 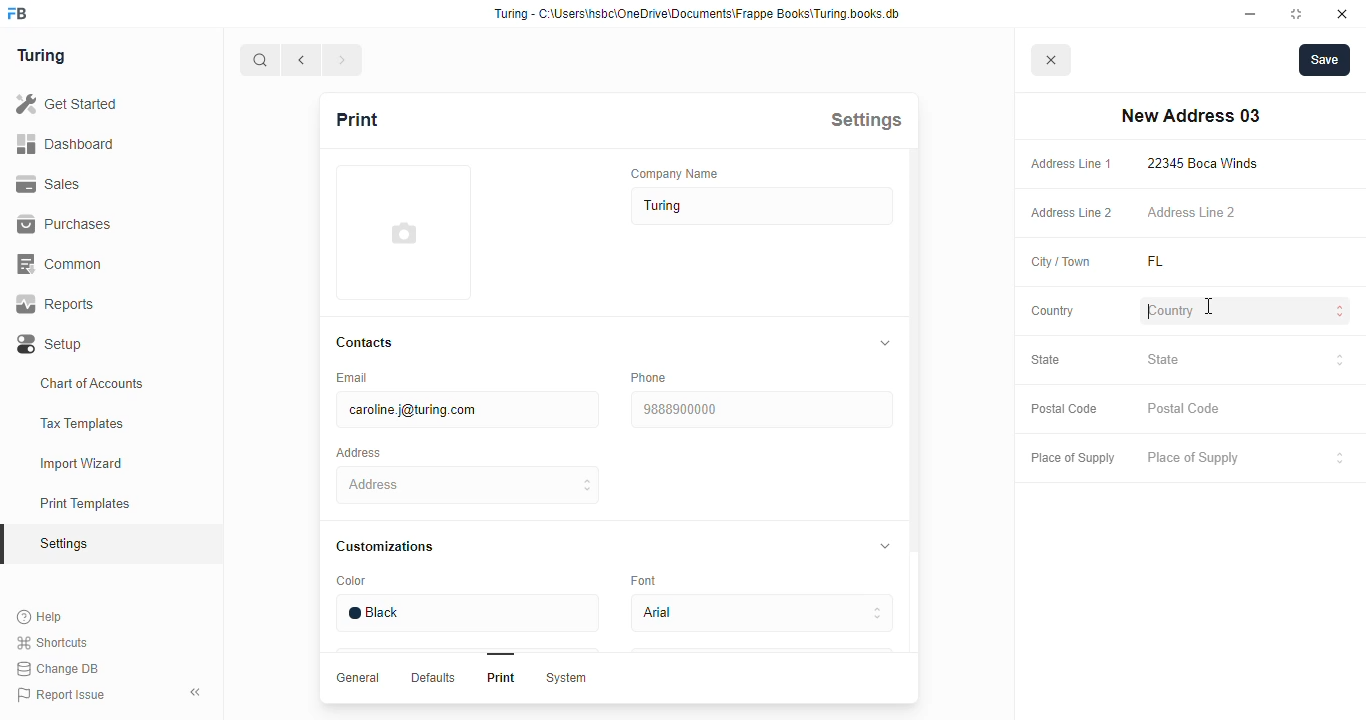 What do you see at coordinates (1046, 359) in the screenshot?
I see `state` at bounding box center [1046, 359].